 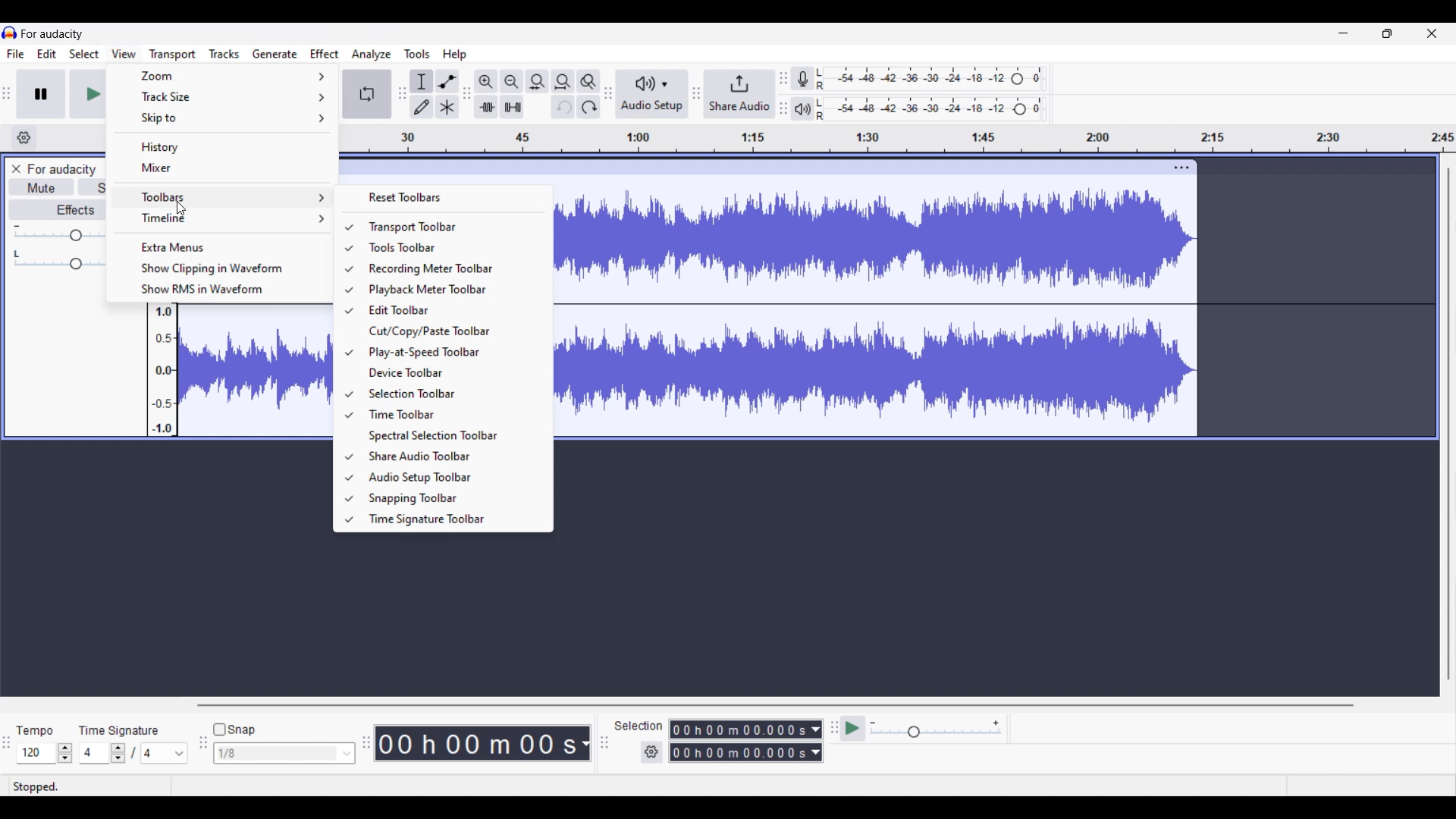 What do you see at coordinates (57, 260) in the screenshot?
I see `Pan slider` at bounding box center [57, 260].